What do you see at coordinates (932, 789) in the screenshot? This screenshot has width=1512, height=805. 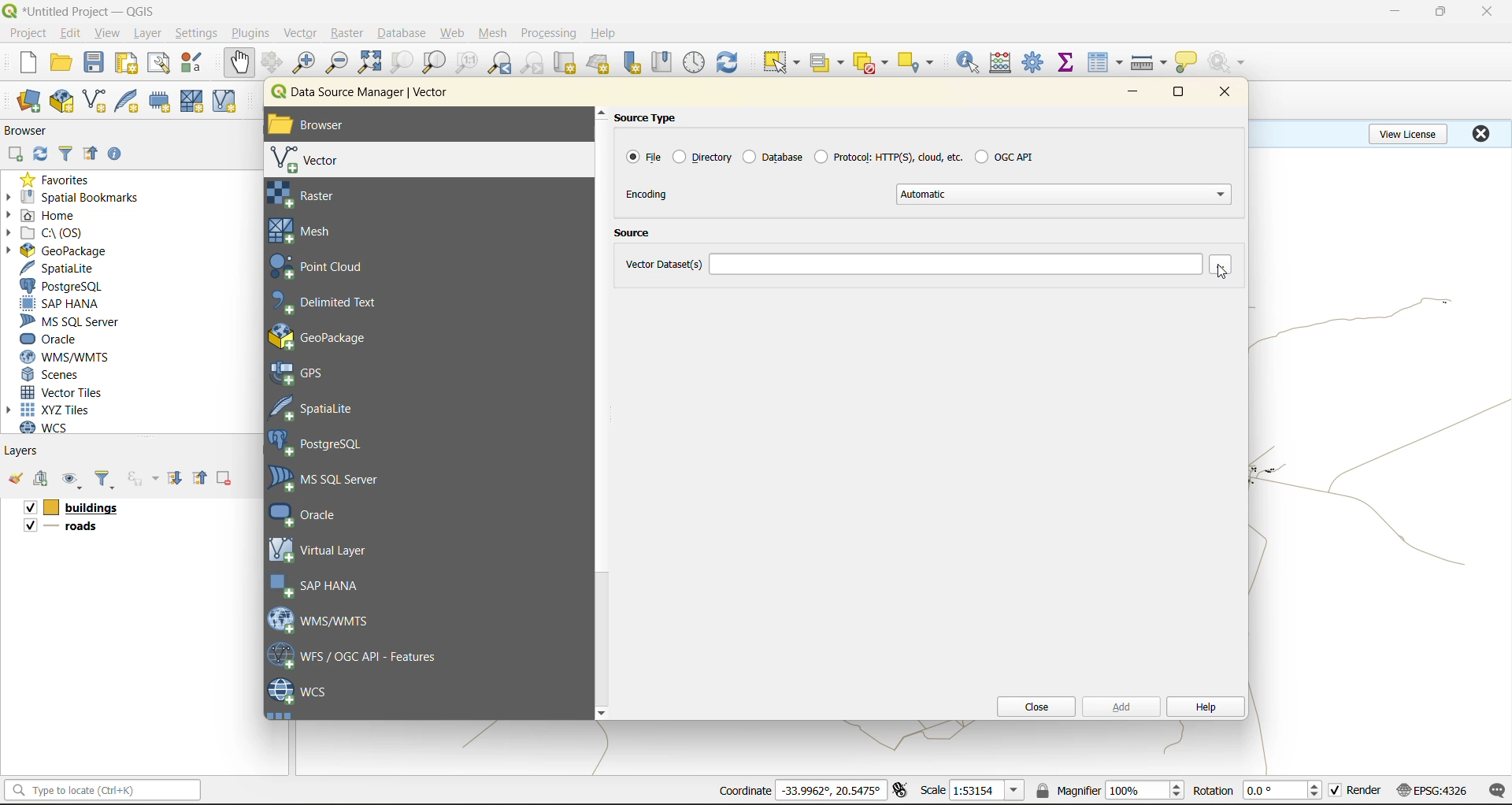 I see `scale` at bounding box center [932, 789].